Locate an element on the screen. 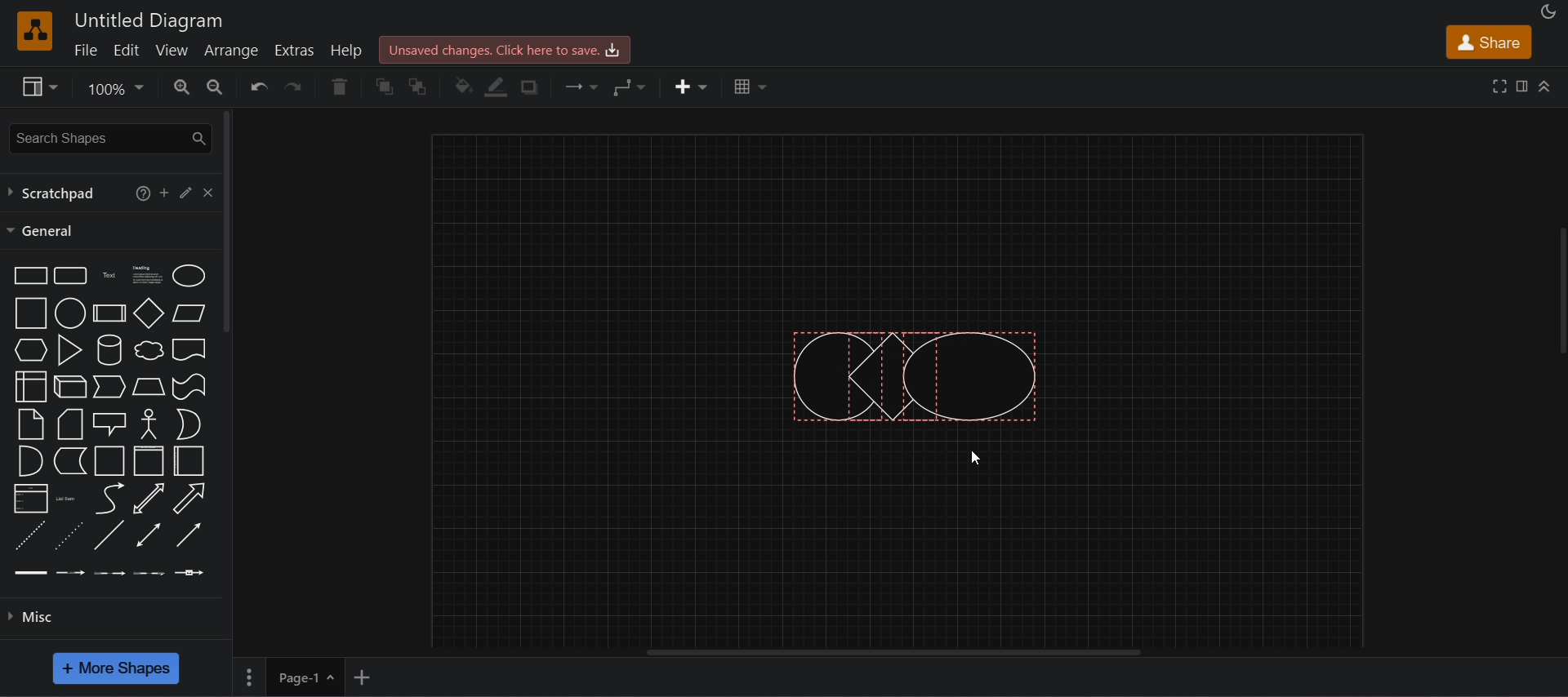  Curve is located at coordinates (109, 498).